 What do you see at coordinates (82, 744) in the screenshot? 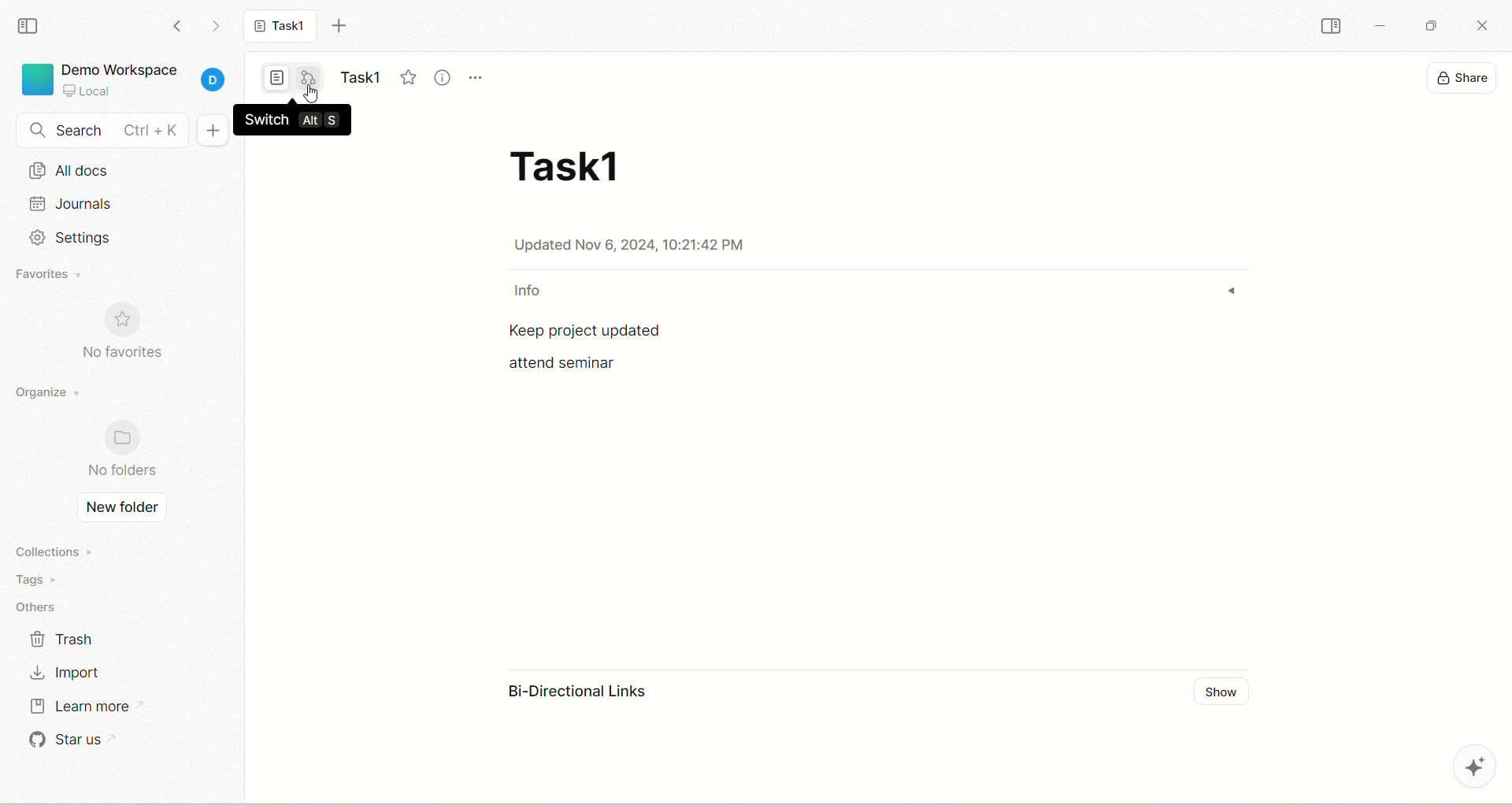
I see `star us` at bounding box center [82, 744].